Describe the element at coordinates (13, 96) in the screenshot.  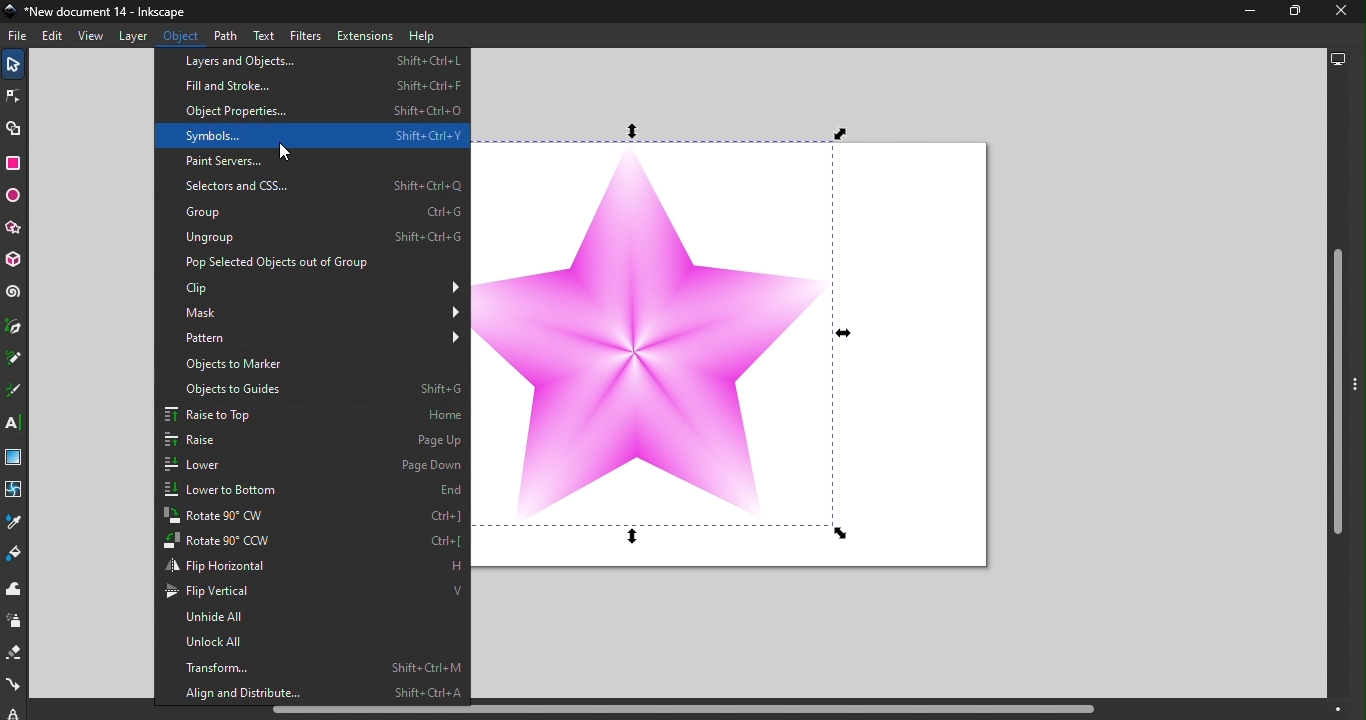
I see `Node tool` at that location.